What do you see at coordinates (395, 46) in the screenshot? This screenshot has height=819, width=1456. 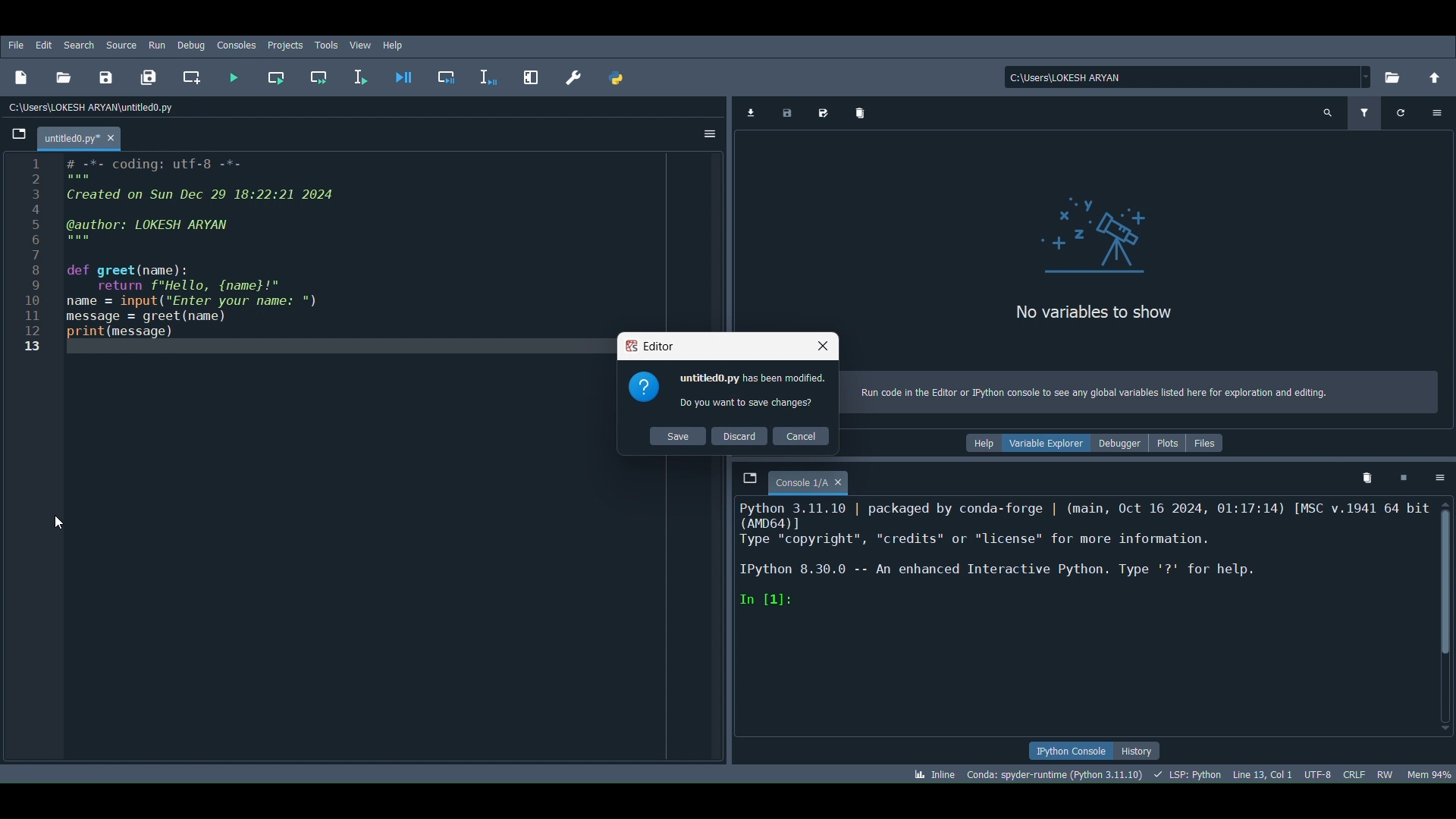 I see `Help` at bounding box center [395, 46].